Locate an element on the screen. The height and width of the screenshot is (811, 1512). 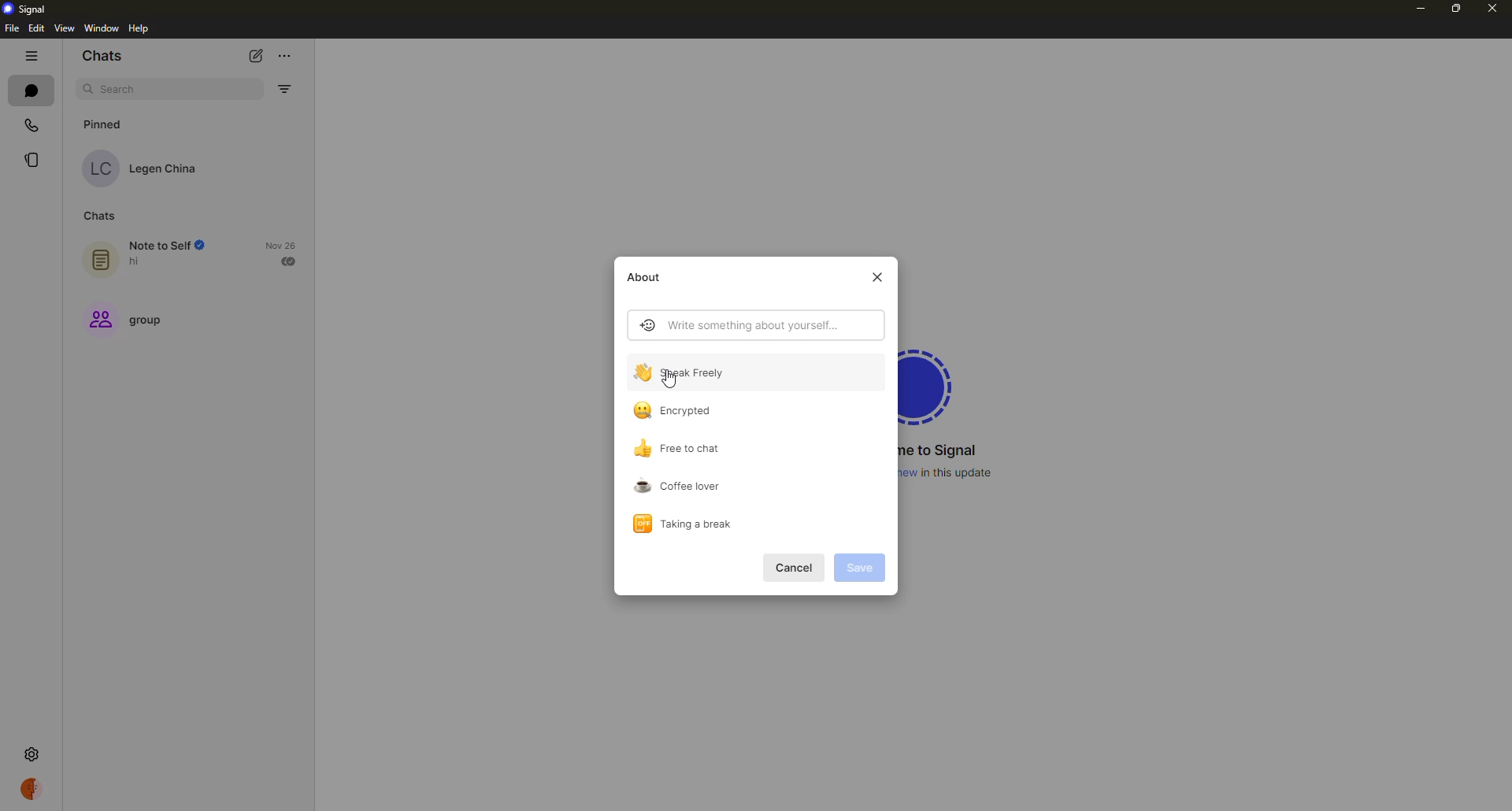
date is located at coordinates (280, 245).